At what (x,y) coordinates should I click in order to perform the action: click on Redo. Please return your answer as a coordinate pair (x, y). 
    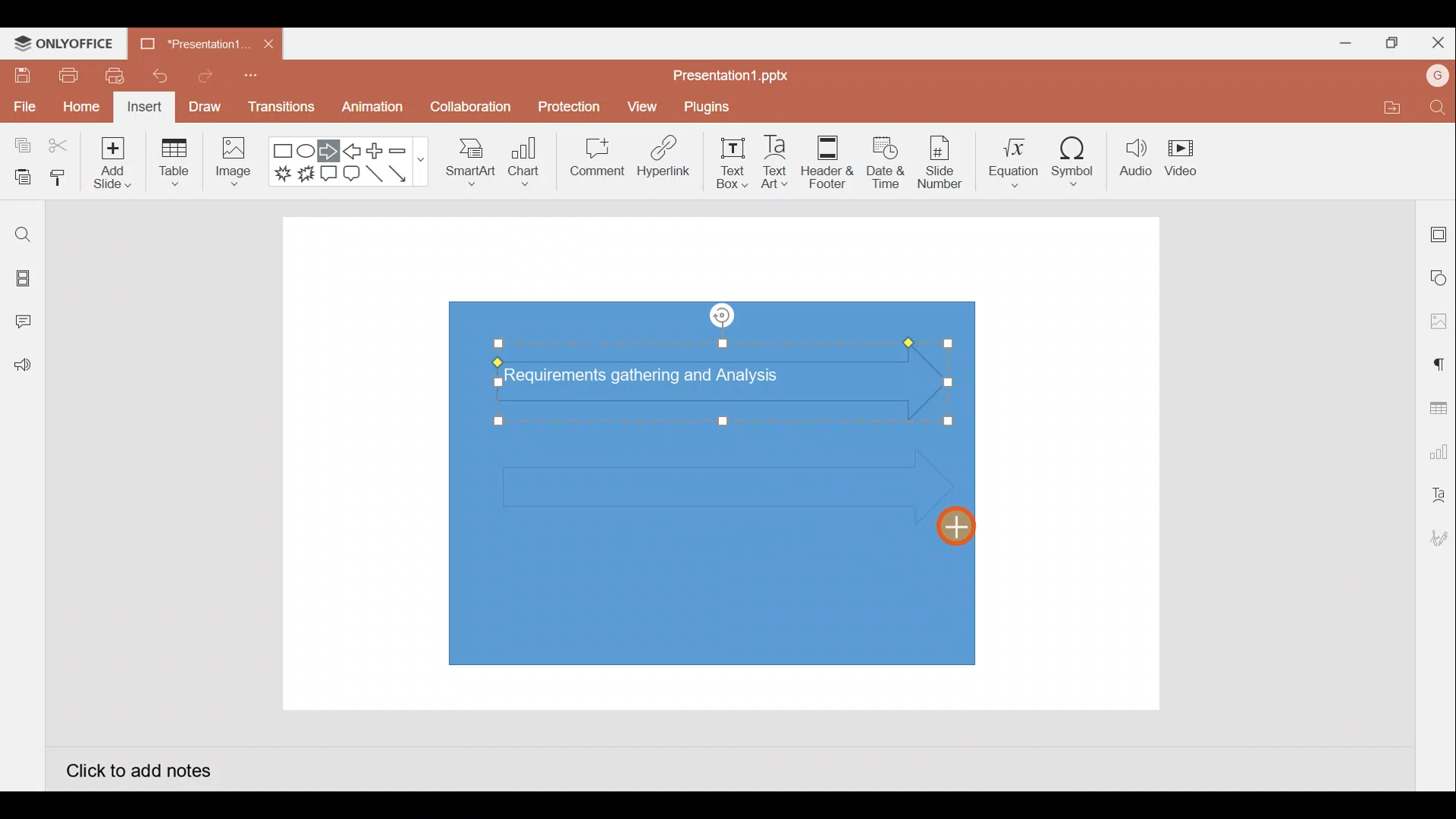
    Looking at the image, I should click on (199, 75).